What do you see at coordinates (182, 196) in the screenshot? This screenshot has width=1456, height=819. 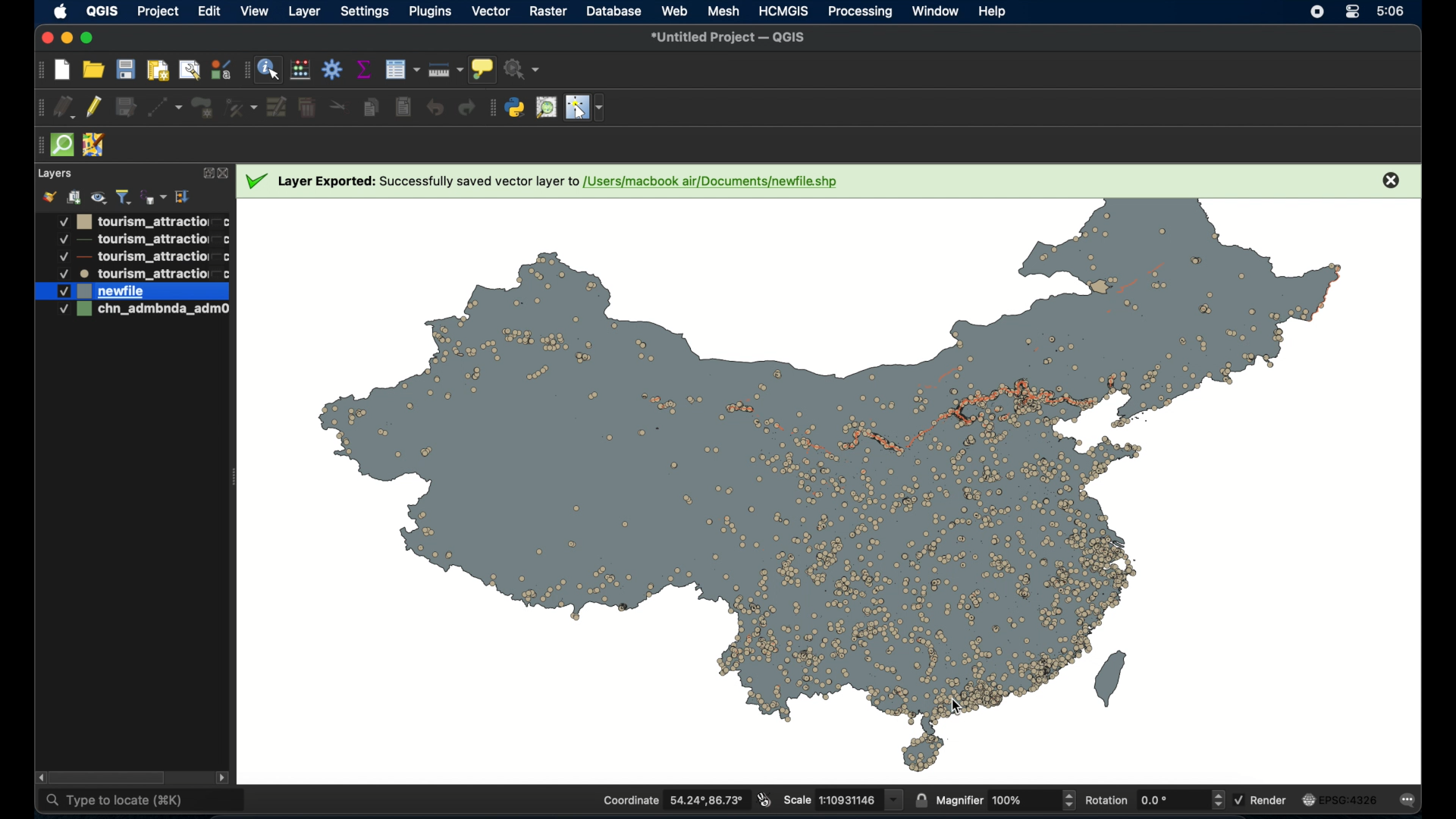 I see `collapse all` at bounding box center [182, 196].